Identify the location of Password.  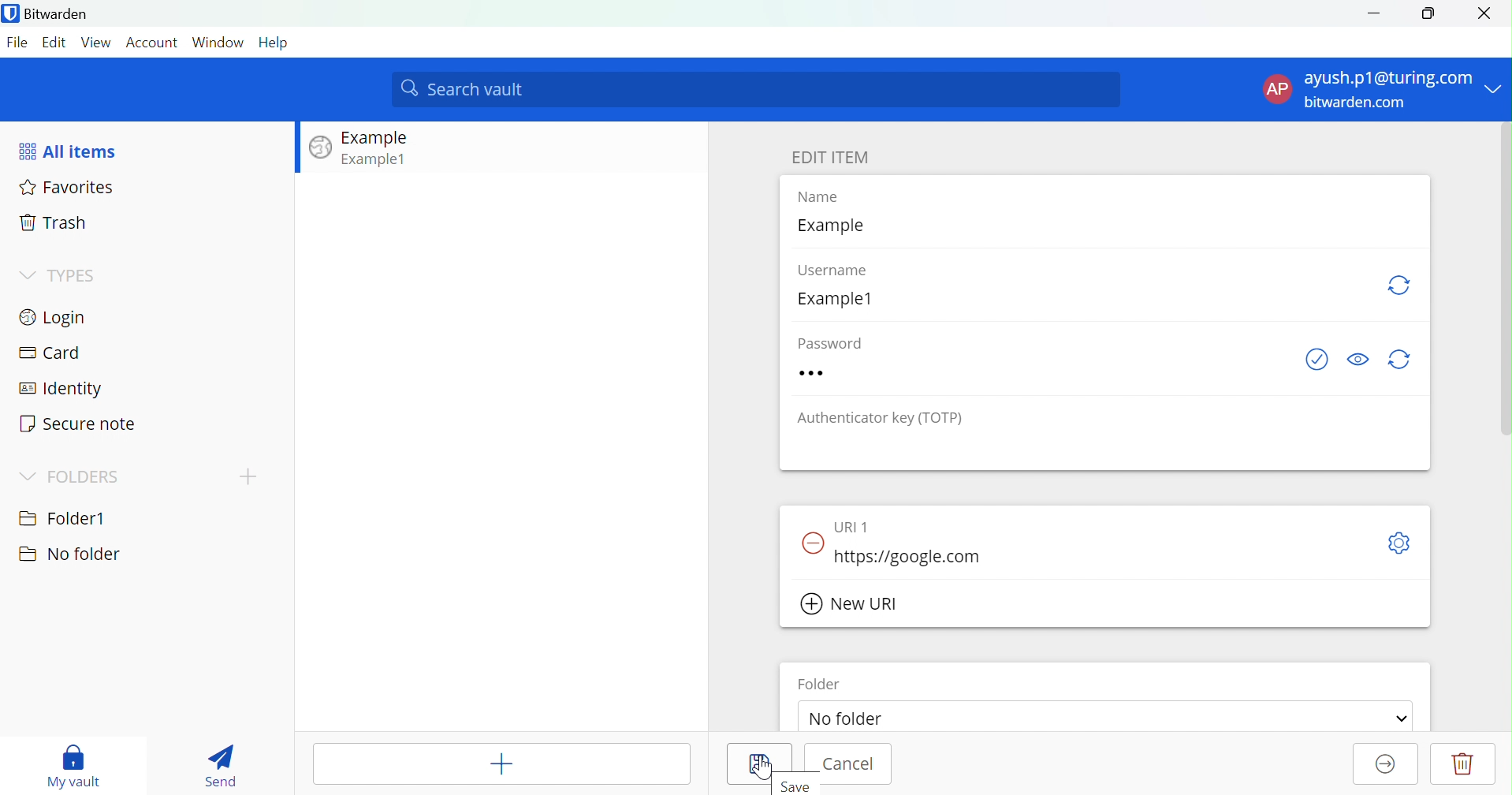
(838, 342).